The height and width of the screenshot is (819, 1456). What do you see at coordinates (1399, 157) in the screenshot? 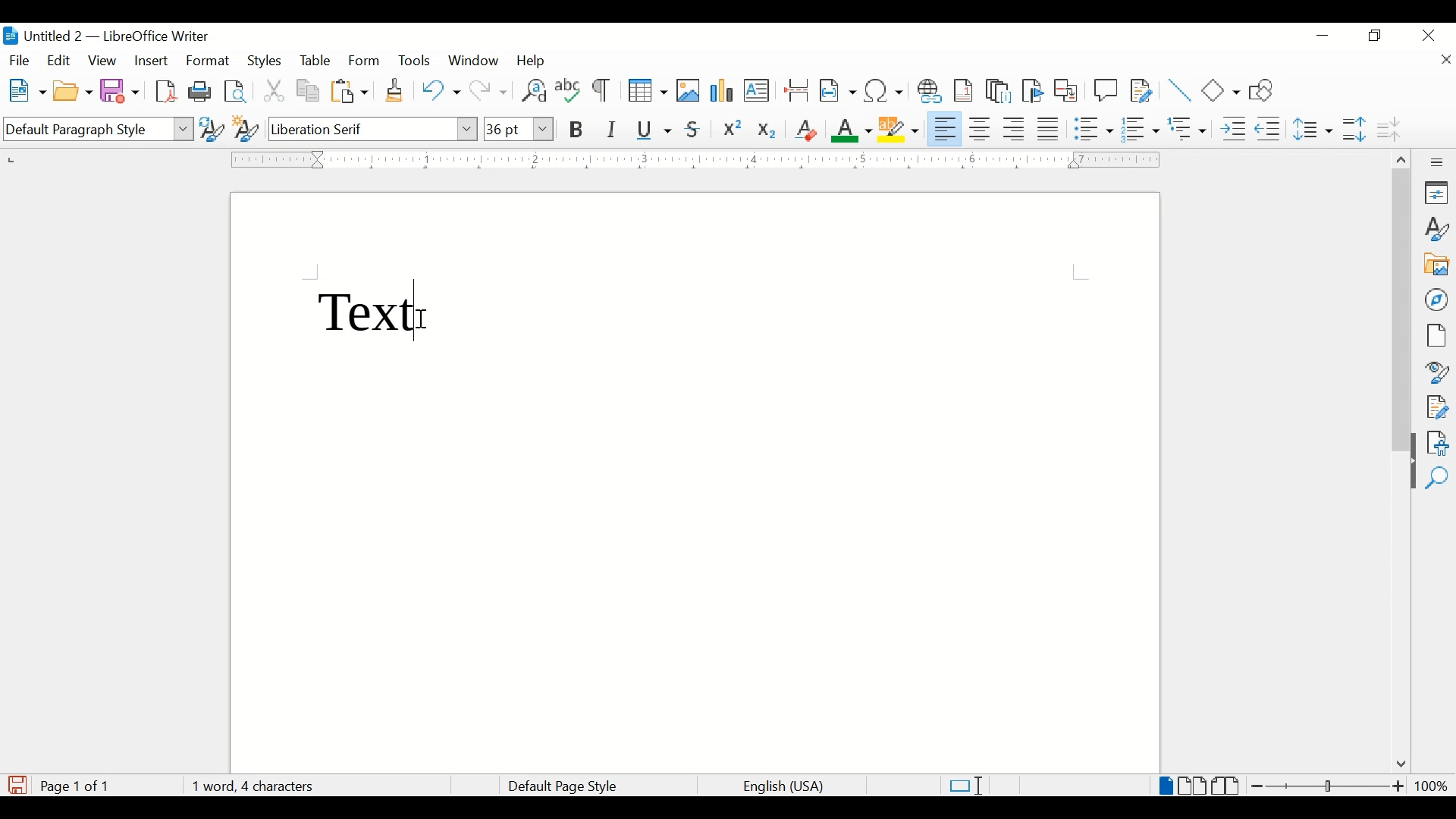
I see `scroll up arrow` at bounding box center [1399, 157].